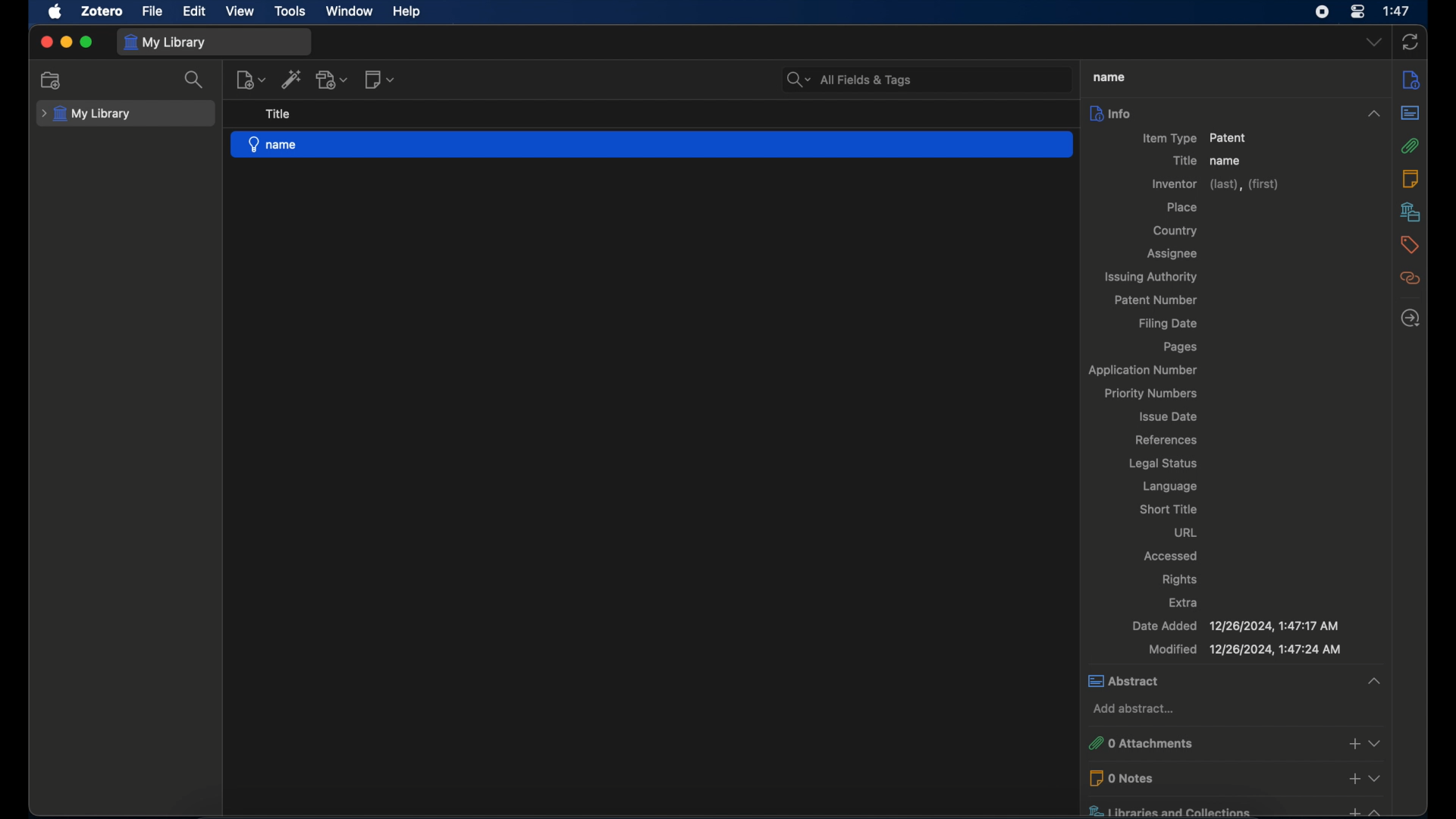 This screenshot has width=1456, height=819. Describe the element at coordinates (1411, 179) in the screenshot. I see `notes` at that location.